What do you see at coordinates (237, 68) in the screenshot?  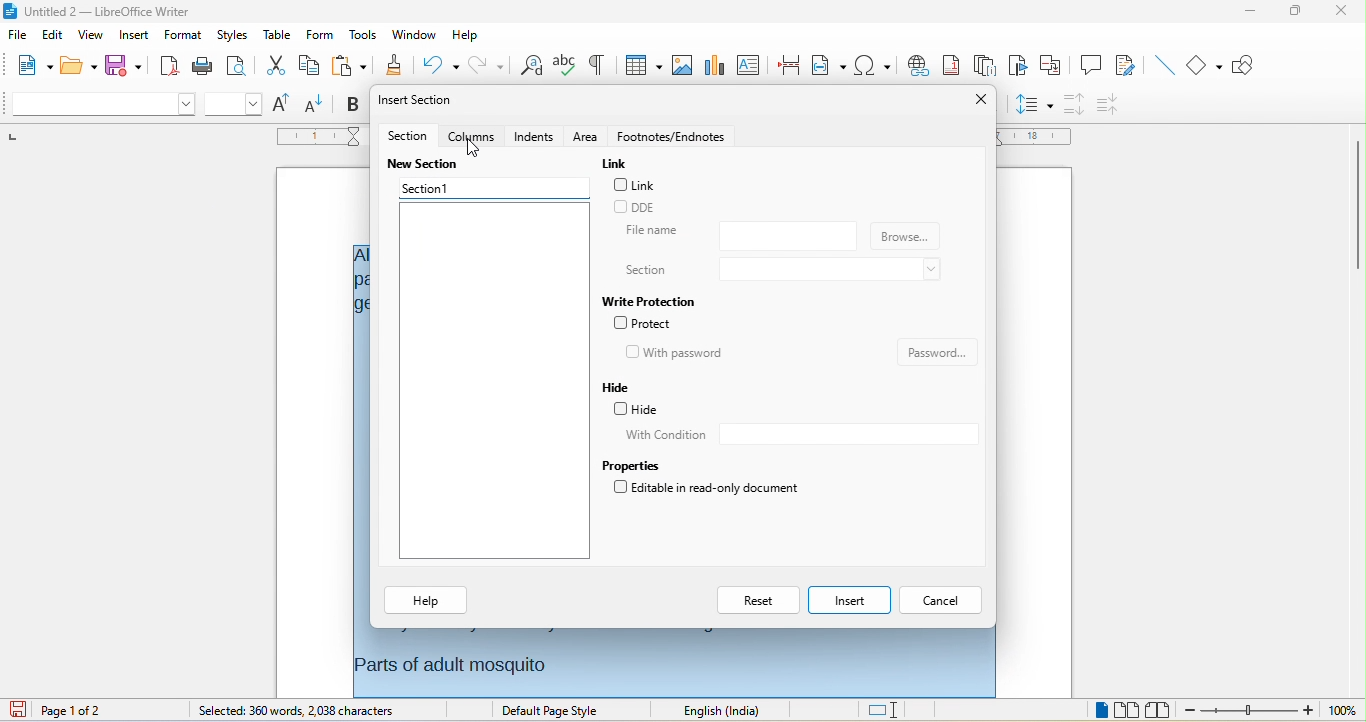 I see `print preview` at bounding box center [237, 68].